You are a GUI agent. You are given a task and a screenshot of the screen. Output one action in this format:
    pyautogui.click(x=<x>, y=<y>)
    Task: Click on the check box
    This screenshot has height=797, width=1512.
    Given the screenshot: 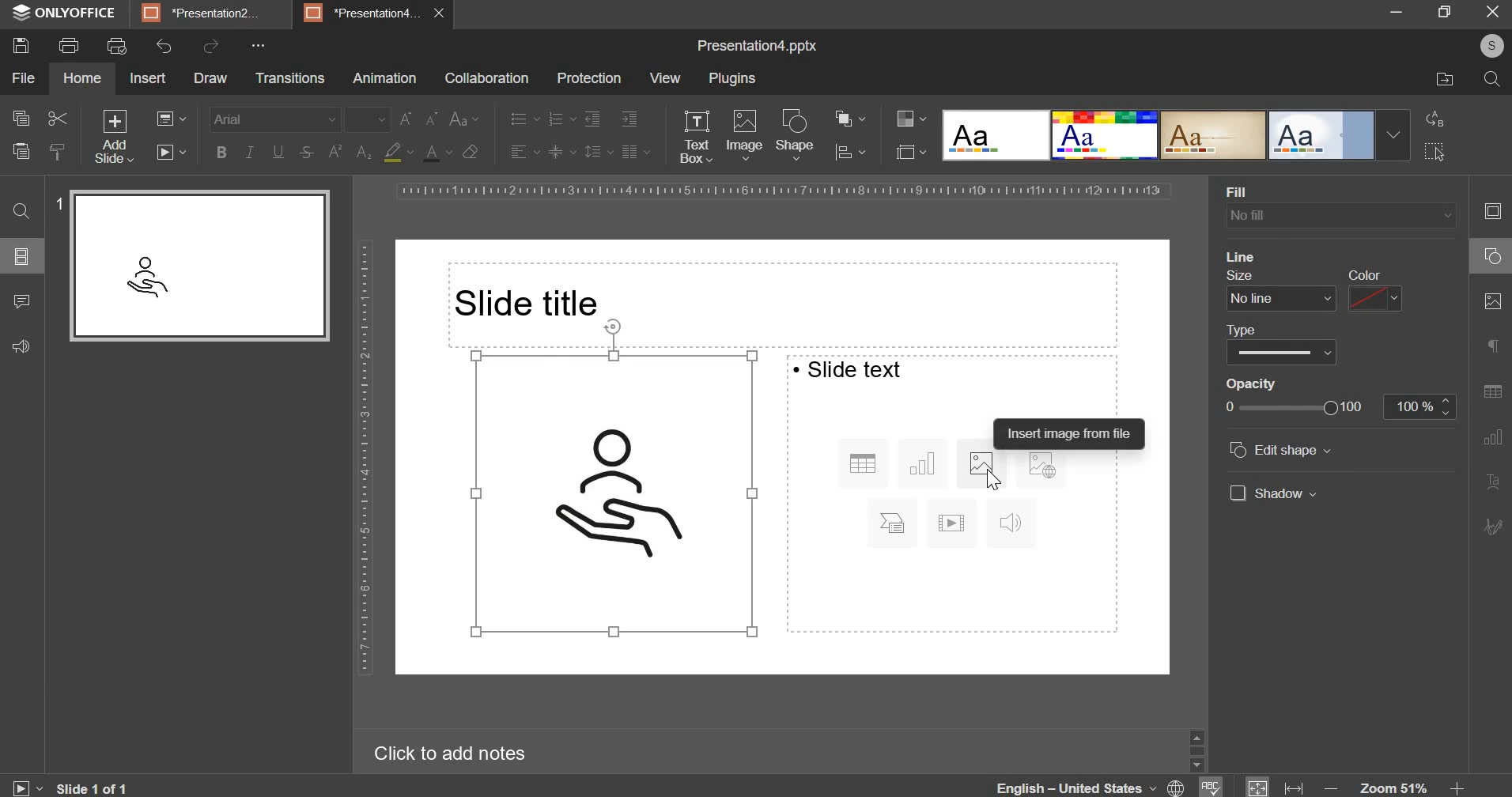 What is the action you would take?
    pyautogui.click(x=1233, y=448)
    